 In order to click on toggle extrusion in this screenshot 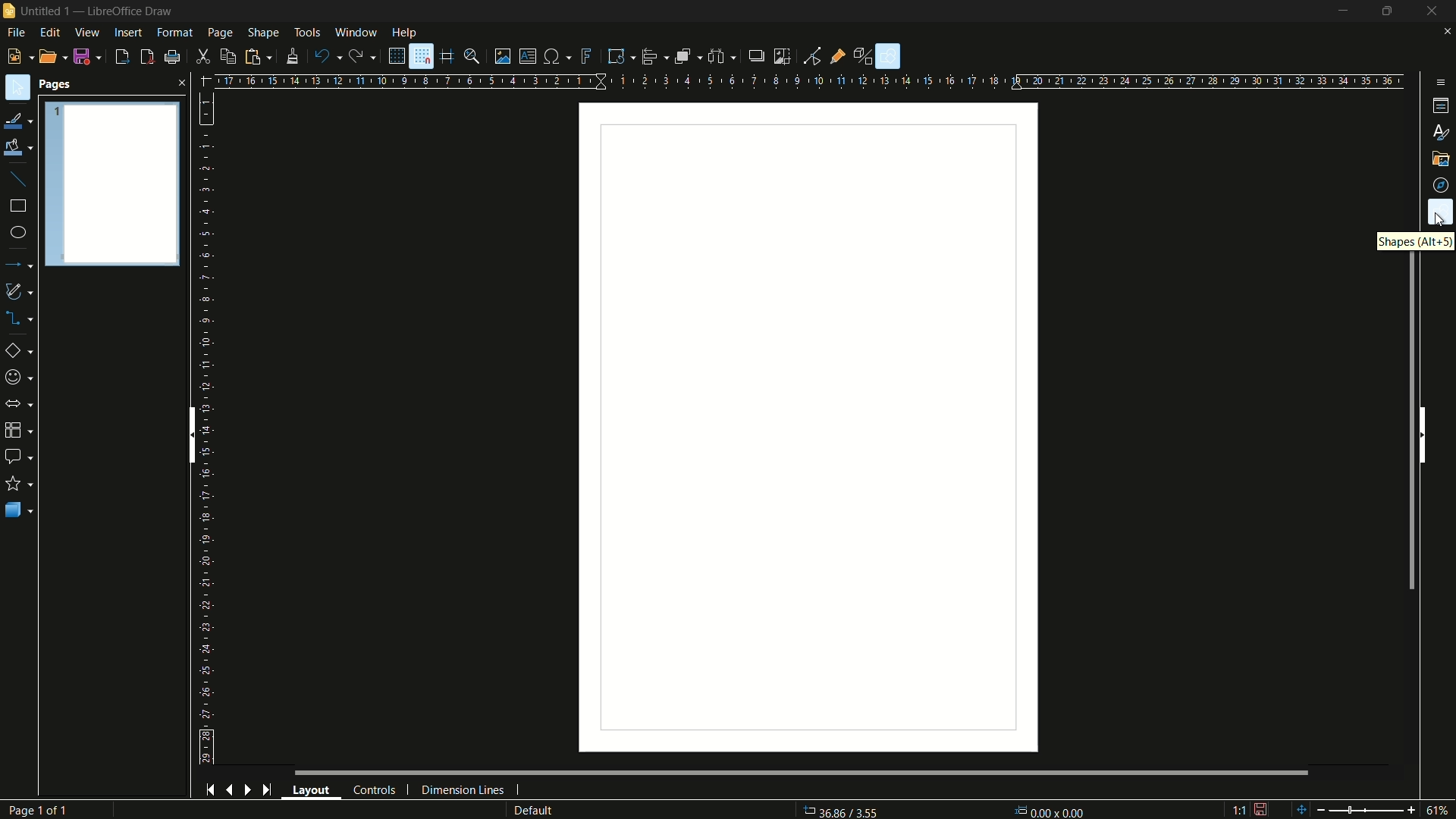, I will do `click(864, 57)`.